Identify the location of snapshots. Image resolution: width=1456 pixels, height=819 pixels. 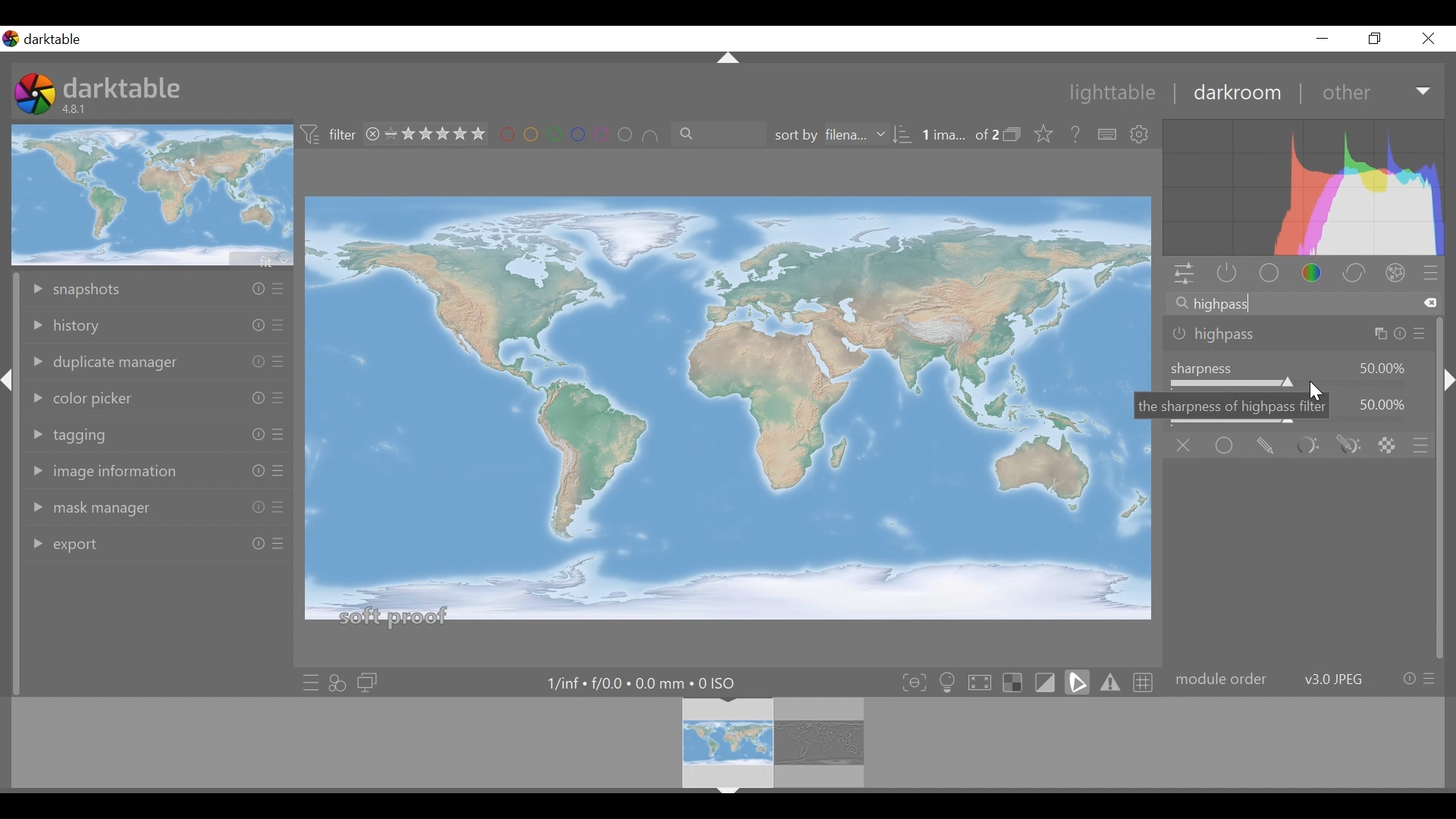
(157, 287).